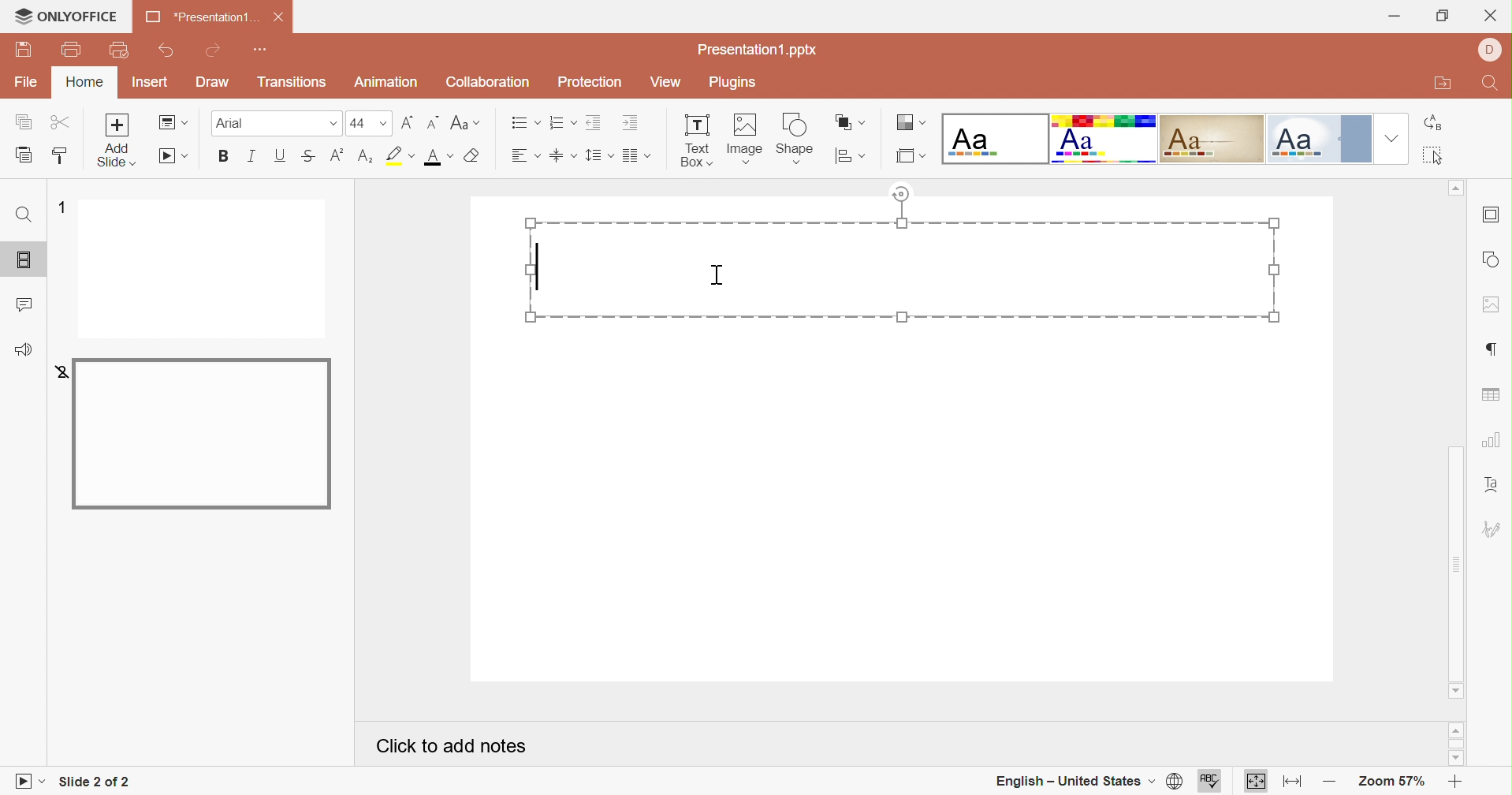 The height and width of the screenshot is (795, 1512). What do you see at coordinates (1491, 259) in the screenshot?
I see `Shape settings` at bounding box center [1491, 259].